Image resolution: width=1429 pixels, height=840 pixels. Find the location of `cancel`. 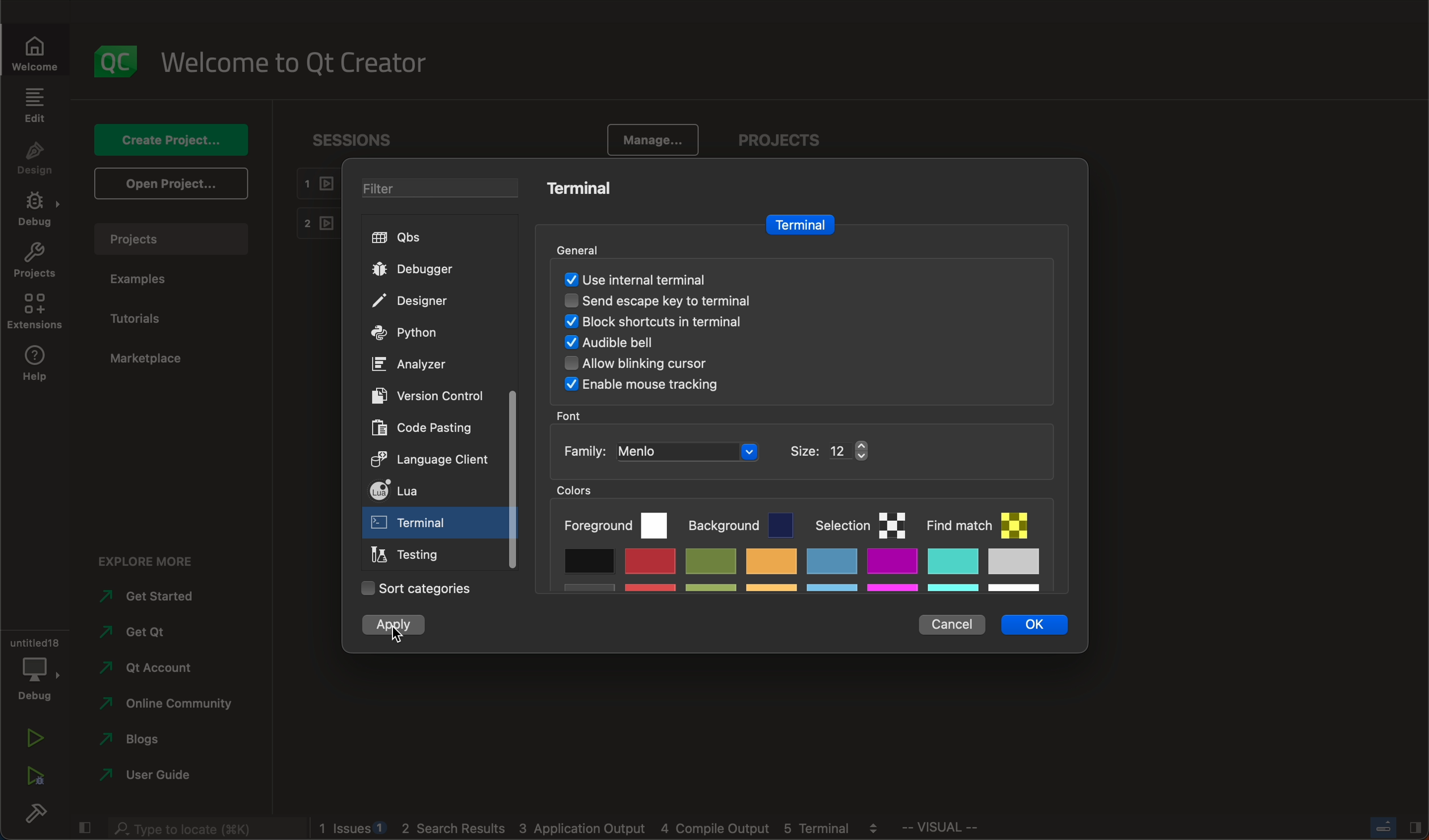

cancel is located at coordinates (950, 623).